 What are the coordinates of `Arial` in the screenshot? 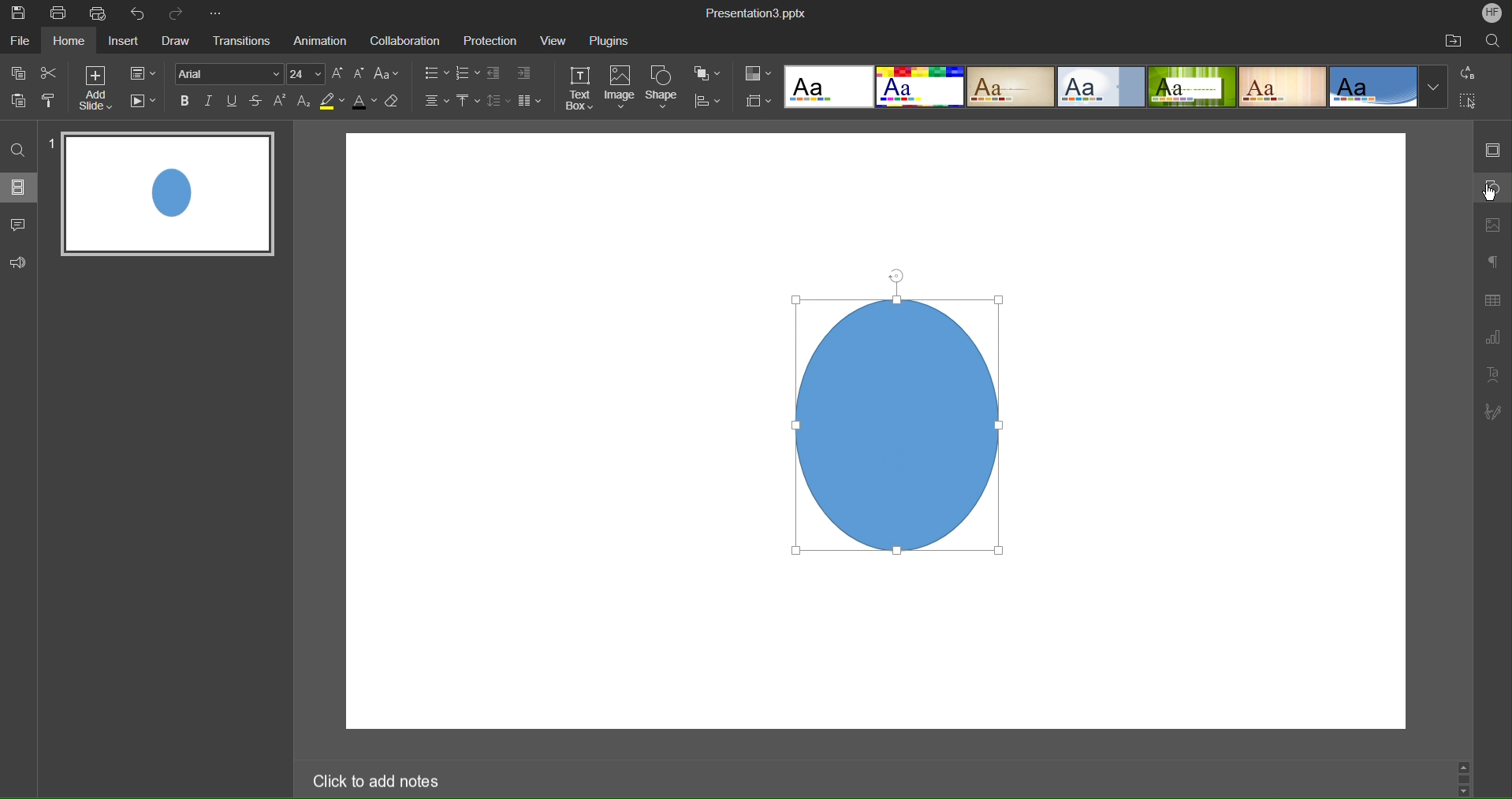 It's located at (231, 73).